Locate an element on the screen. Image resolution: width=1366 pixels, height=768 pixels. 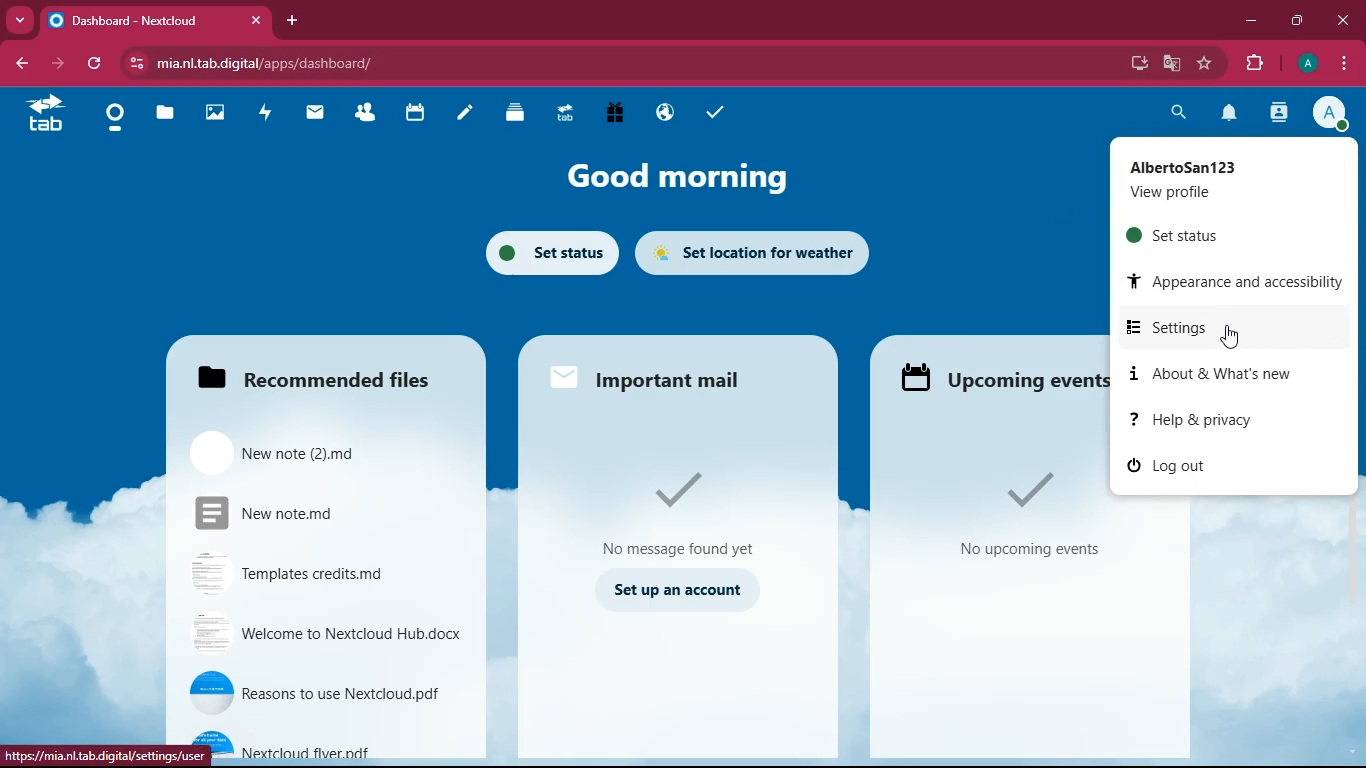
view site information is located at coordinates (134, 65).